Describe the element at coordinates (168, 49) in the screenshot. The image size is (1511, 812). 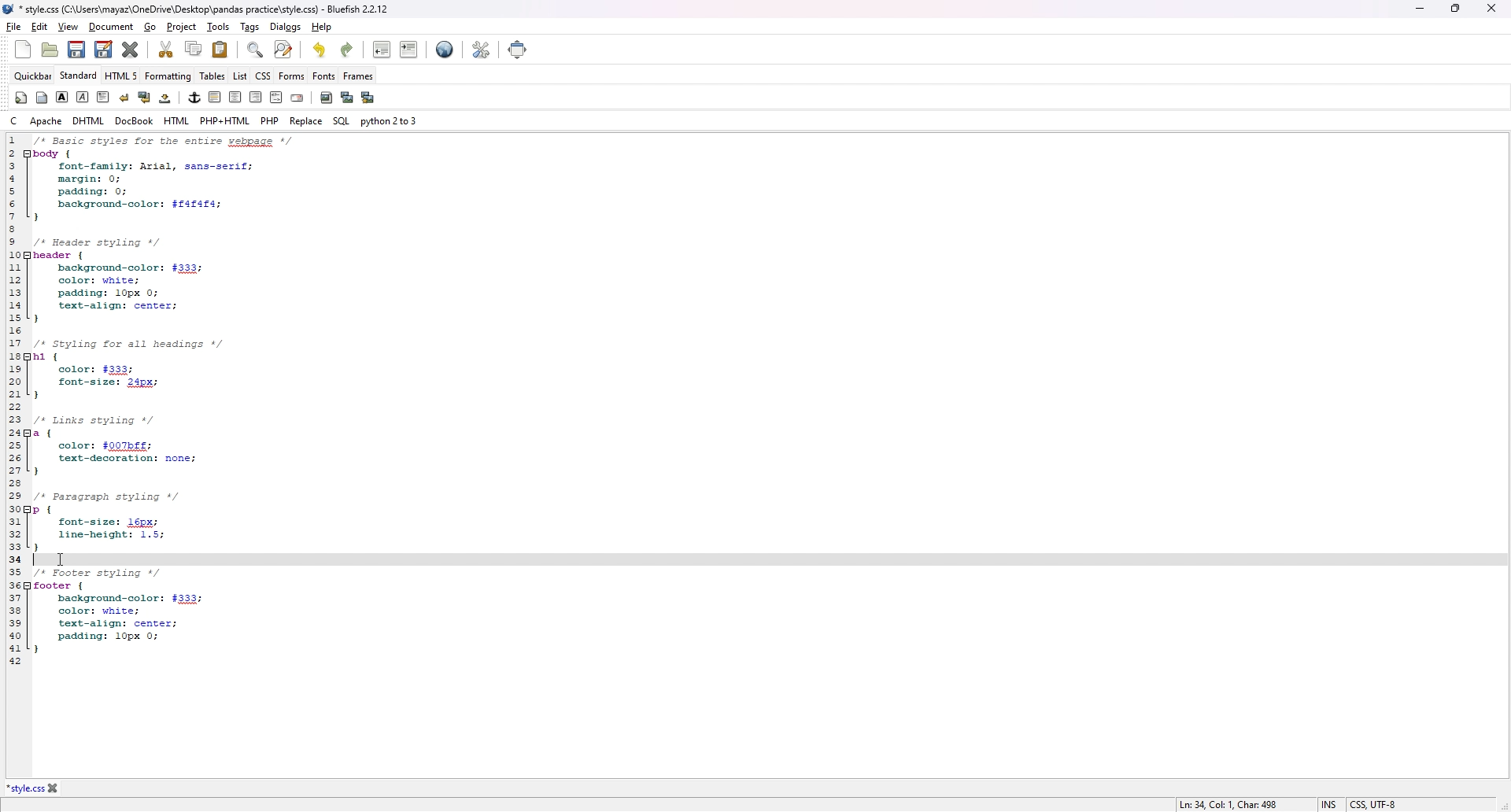
I see `cut` at that location.